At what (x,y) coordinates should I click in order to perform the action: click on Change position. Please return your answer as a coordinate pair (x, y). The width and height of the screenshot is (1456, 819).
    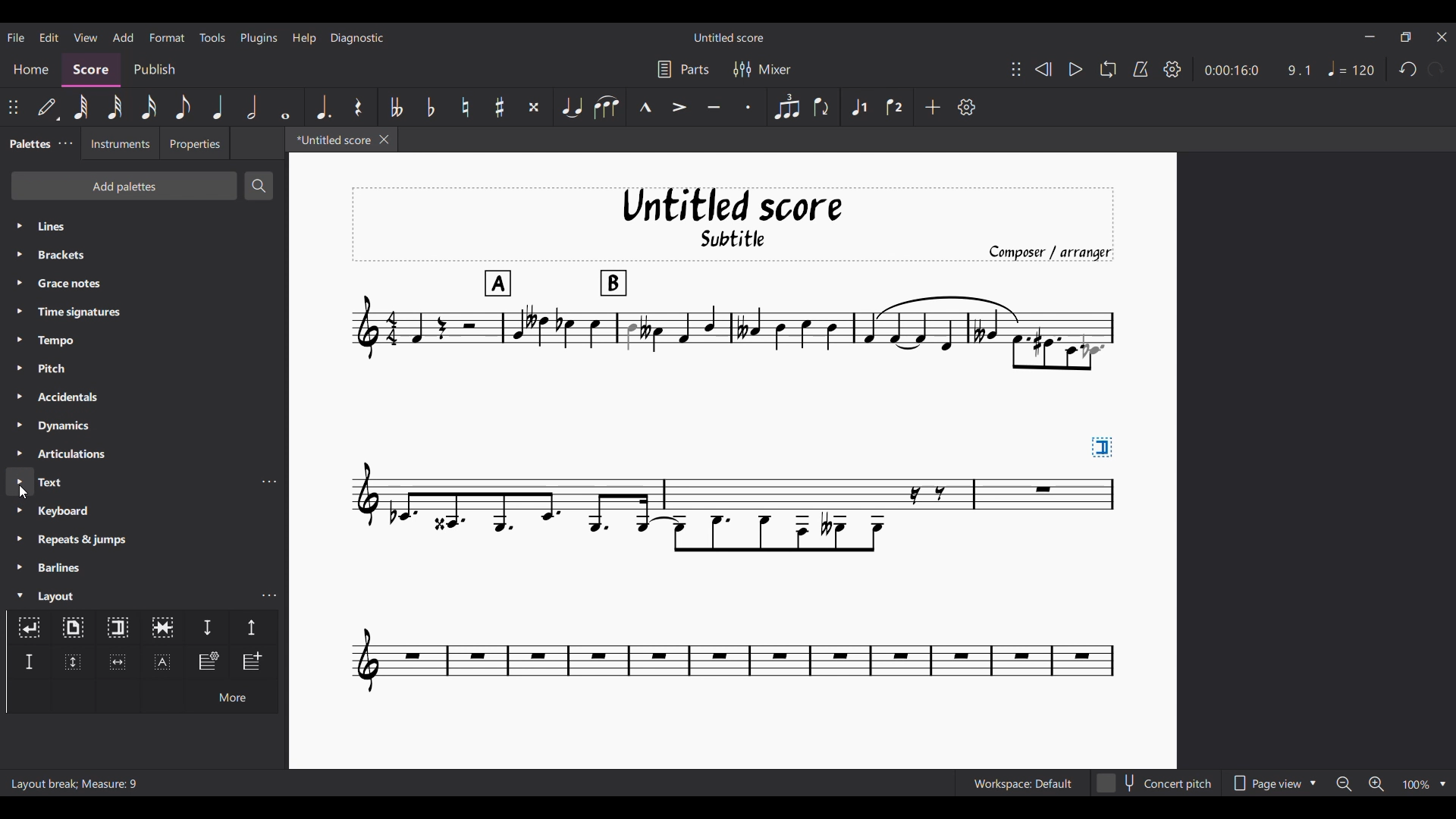
    Looking at the image, I should click on (13, 107).